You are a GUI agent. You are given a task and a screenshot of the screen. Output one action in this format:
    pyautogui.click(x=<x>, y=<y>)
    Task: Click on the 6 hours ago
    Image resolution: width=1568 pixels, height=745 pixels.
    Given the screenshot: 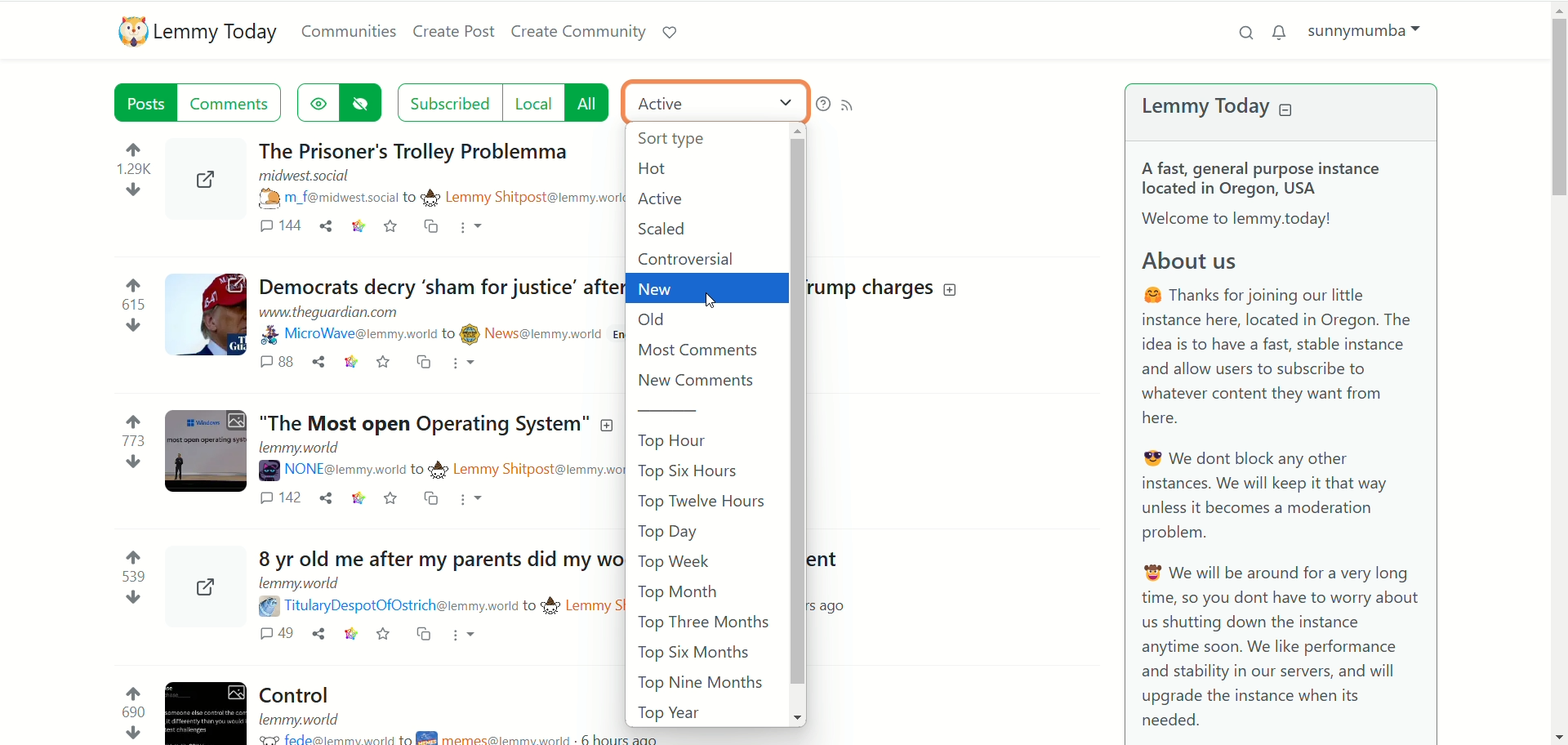 What is the action you would take?
    pyautogui.click(x=640, y=737)
    